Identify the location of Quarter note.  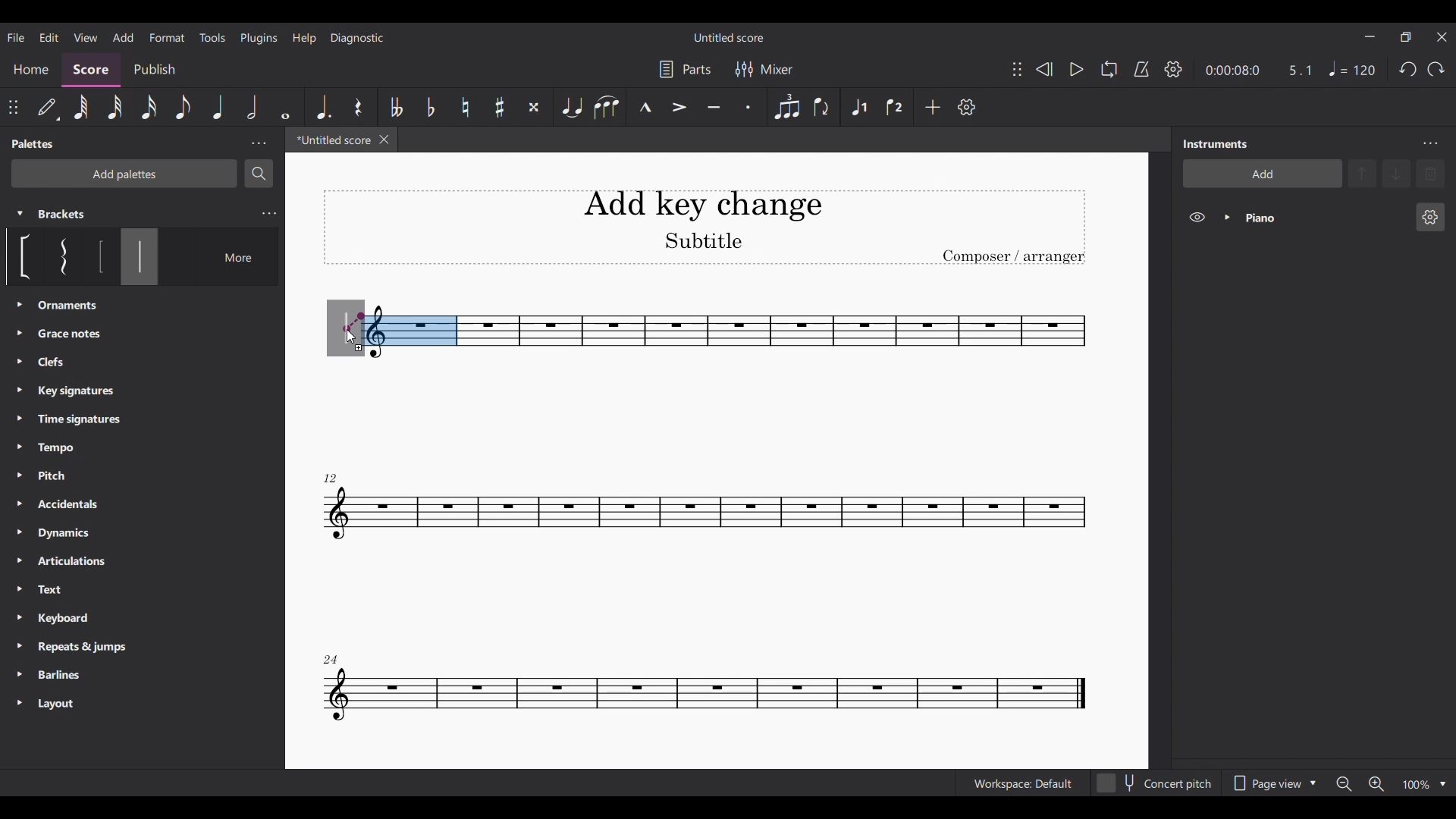
(220, 108).